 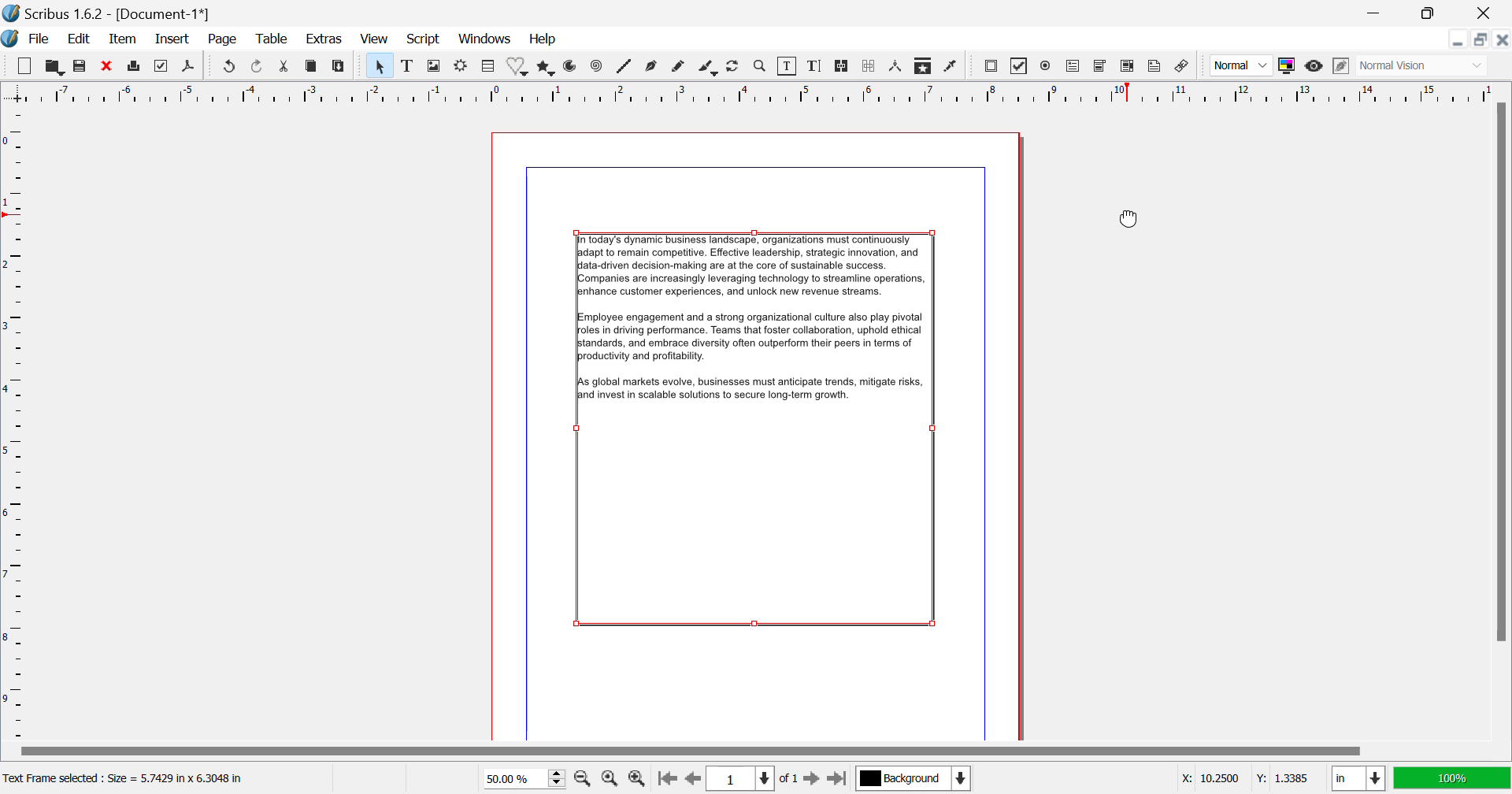 I want to click on Restore Down, so click(x=1379, y=12).